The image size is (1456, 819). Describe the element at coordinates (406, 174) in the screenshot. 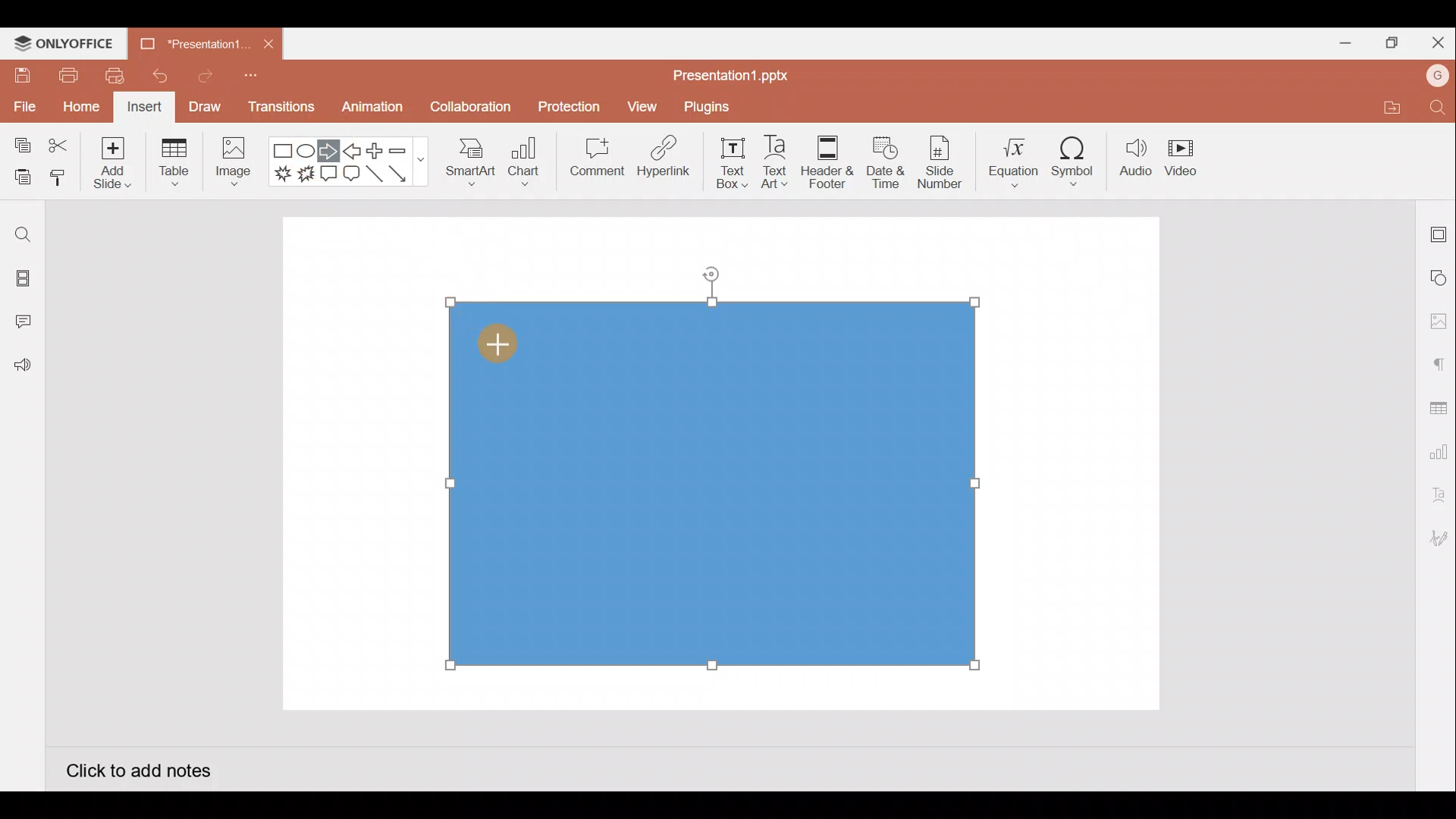

I see `Arrow` at that location.